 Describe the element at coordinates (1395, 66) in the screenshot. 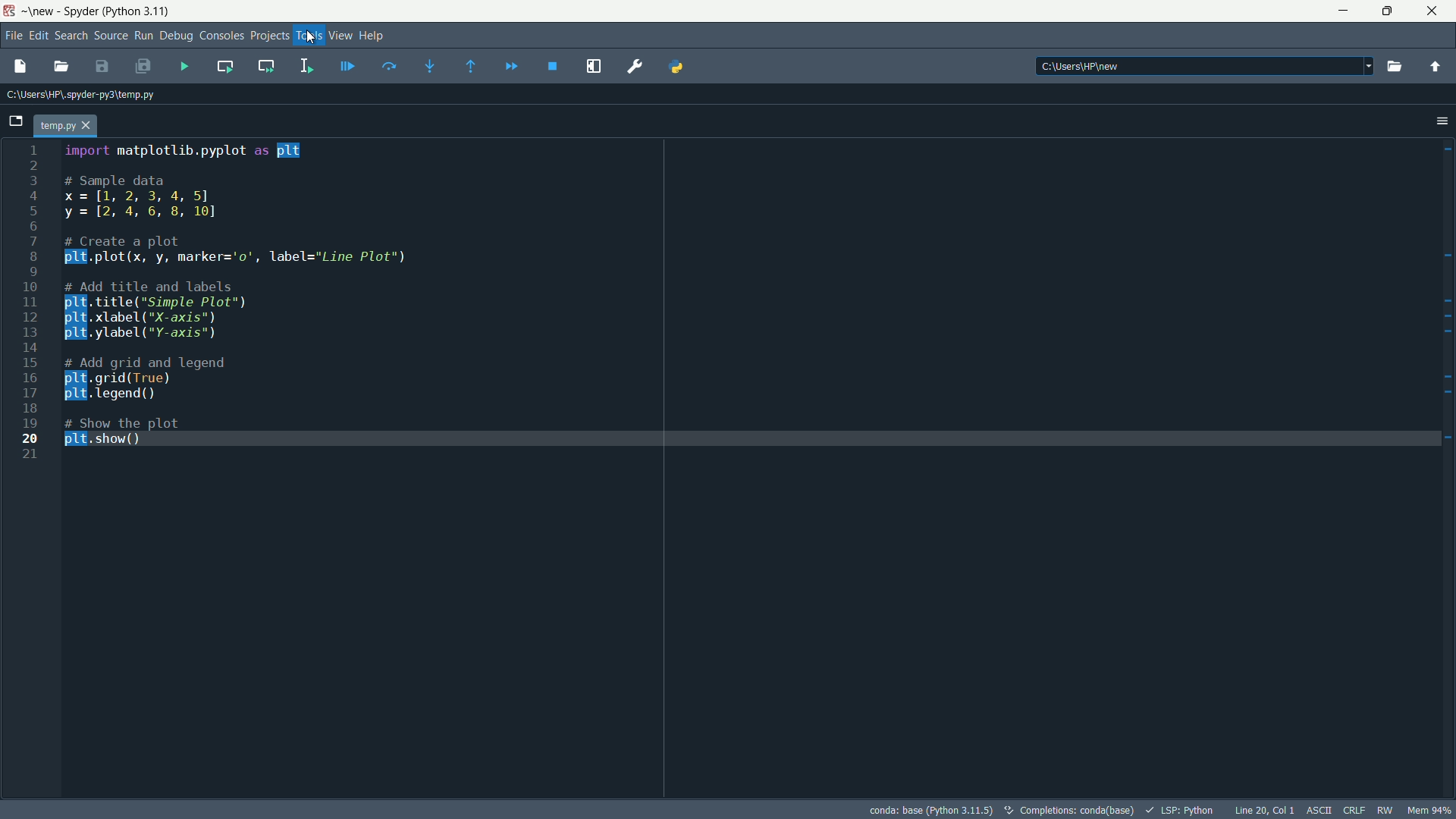

I see `browse directory` at that location.